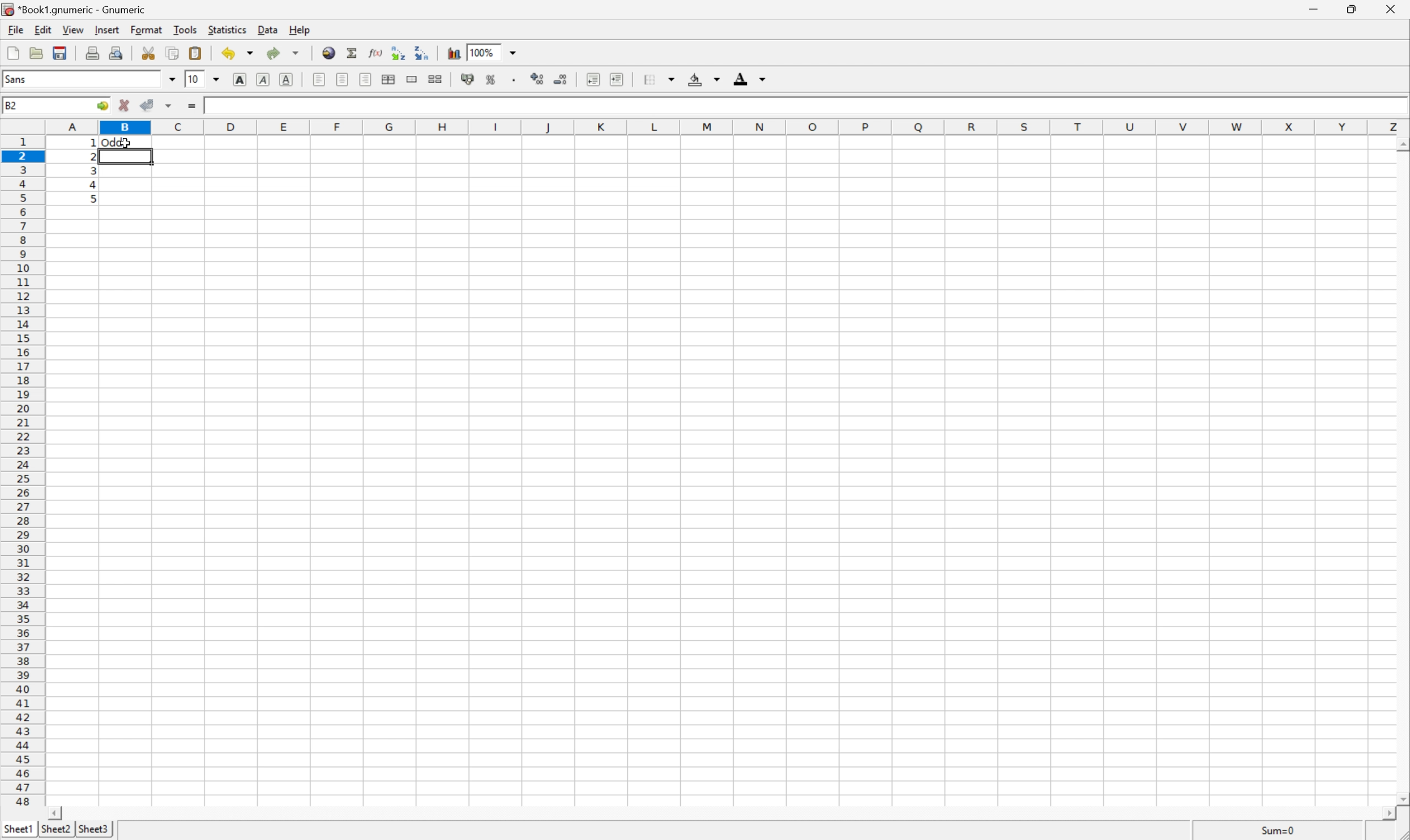 The image size is (1410, 840). What do you see at coordinates (59, 812) in the screenshot?
I see `Scroll Left` at bounding box center [59, 812].